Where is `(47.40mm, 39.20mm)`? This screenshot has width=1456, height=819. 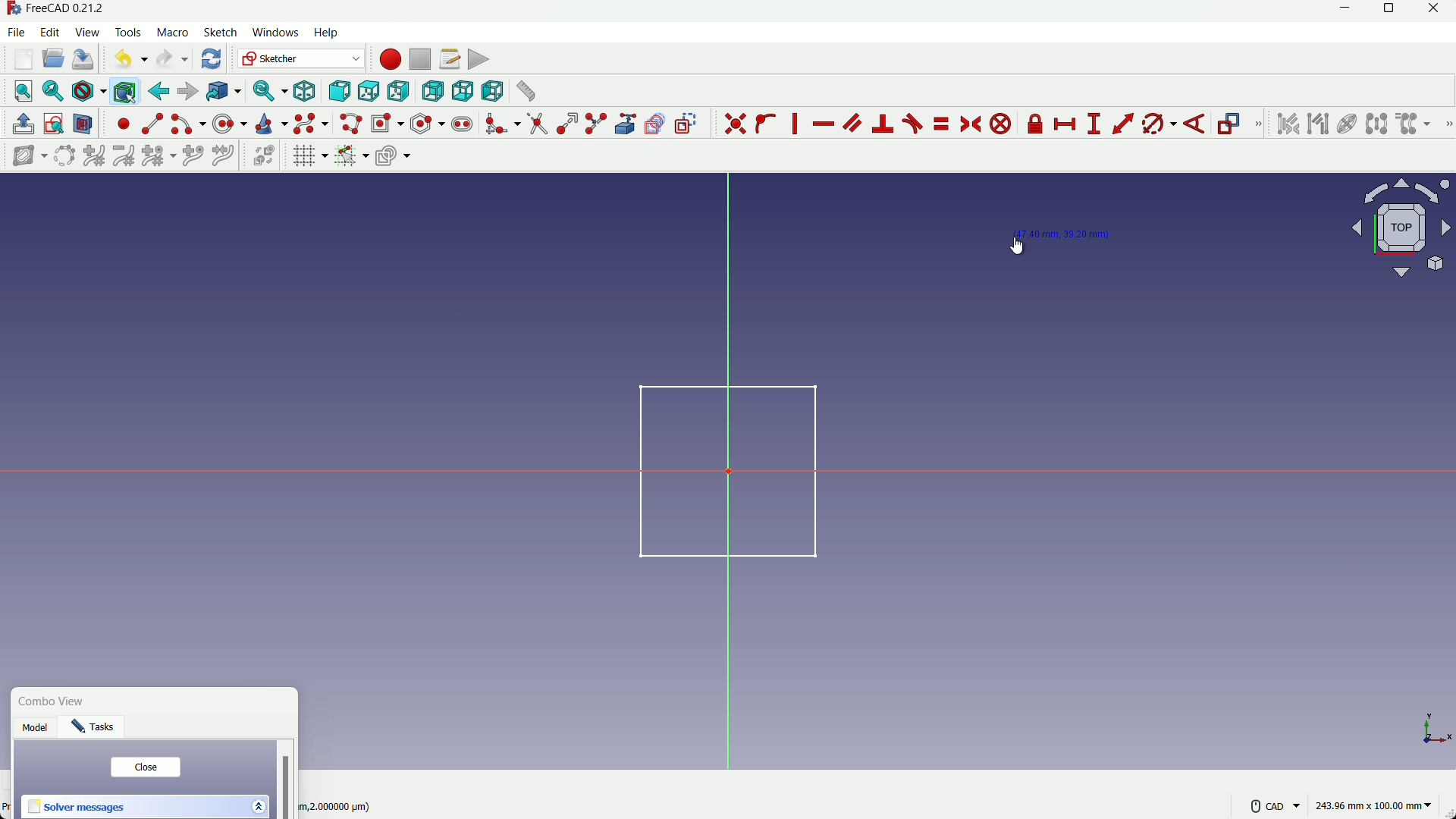
(47.40mm, 39.20mm) is located at coordinates (1064, 234).